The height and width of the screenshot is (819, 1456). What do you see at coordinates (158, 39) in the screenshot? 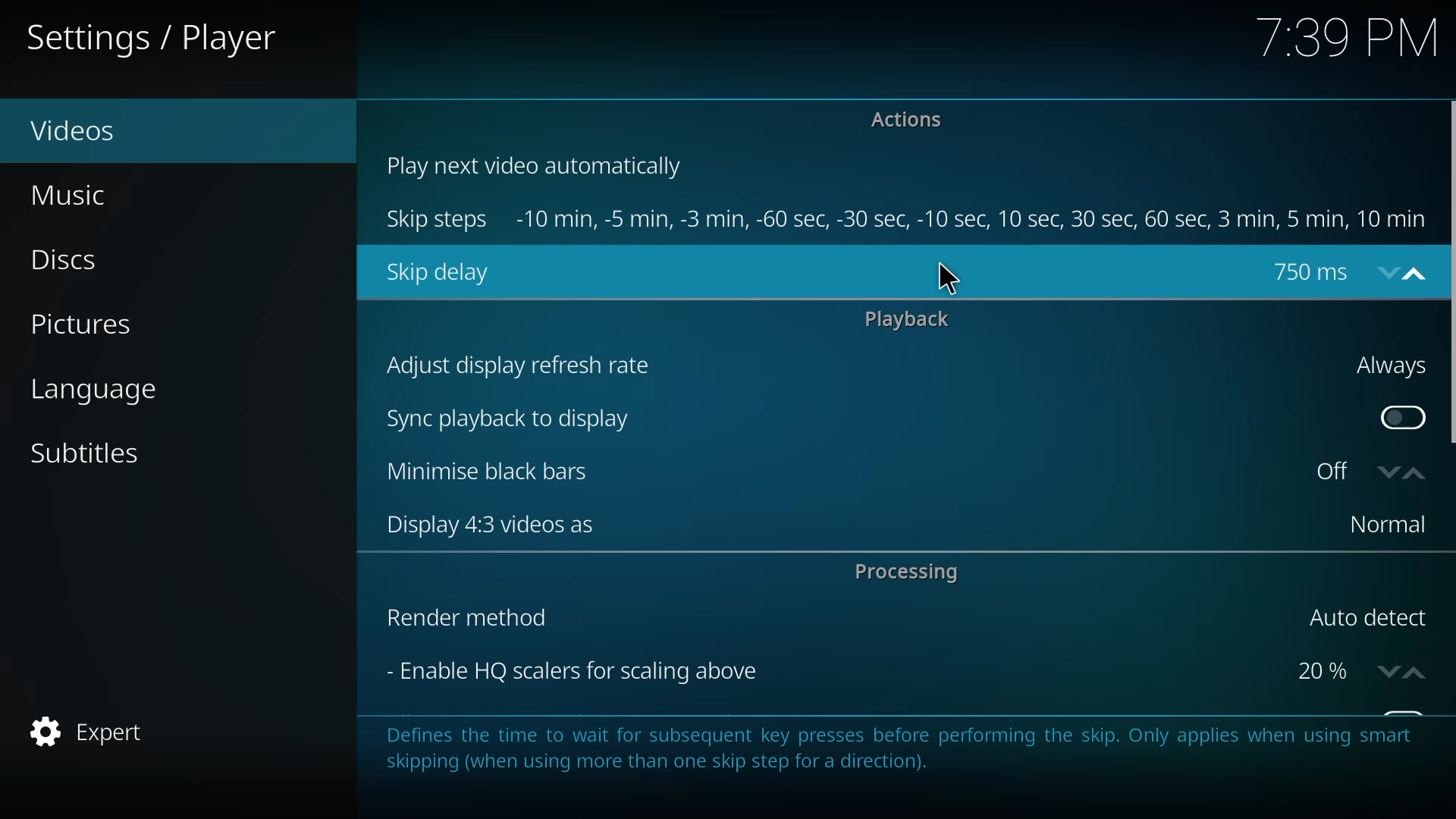
I see `player` at bounding box center [158, 39].